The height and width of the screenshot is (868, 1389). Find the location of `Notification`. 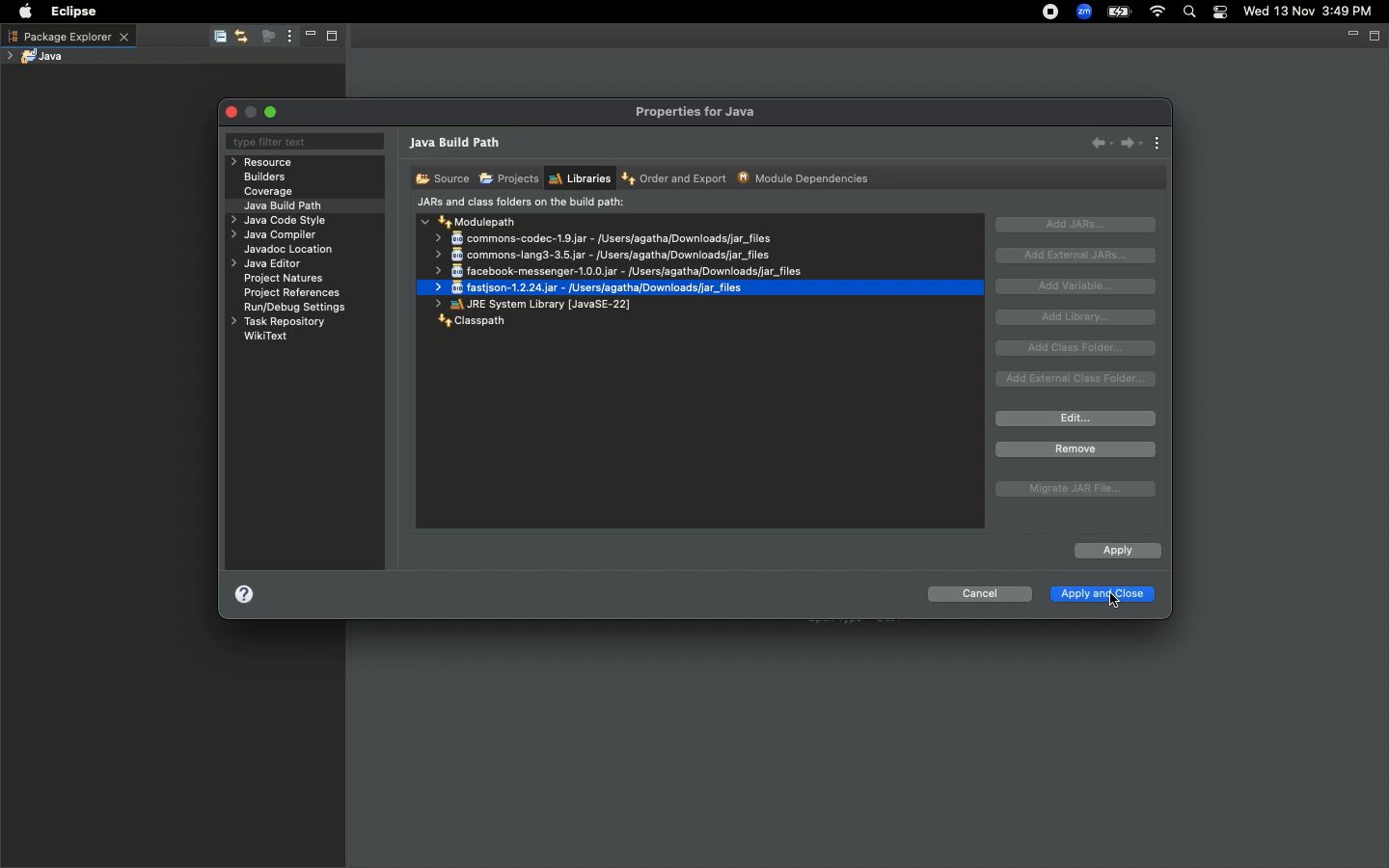

Notification is located at coordinates (1222, 13).